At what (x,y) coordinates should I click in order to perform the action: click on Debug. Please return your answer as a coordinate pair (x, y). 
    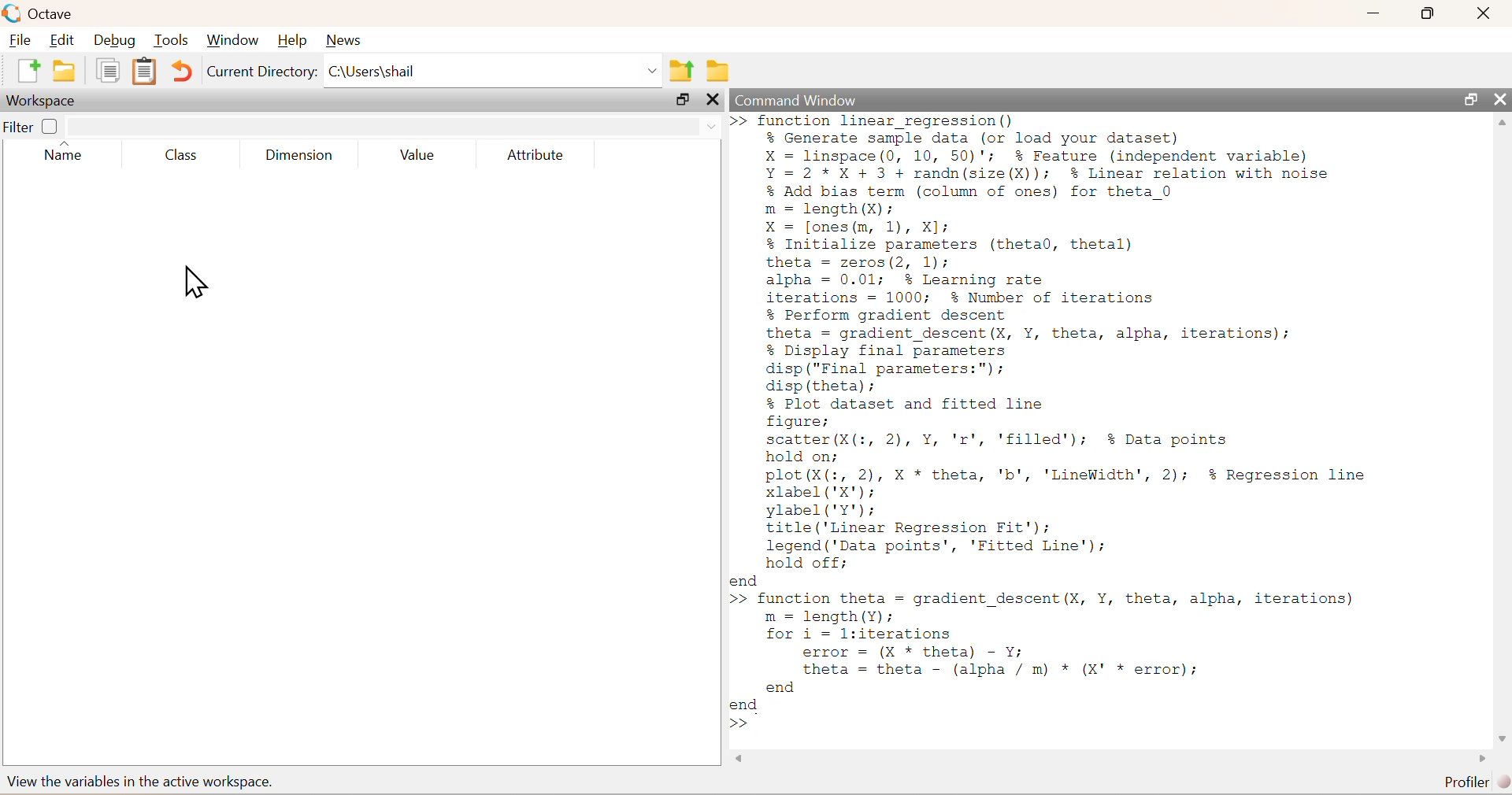
    Looking at the image, I should click on (115, 39).